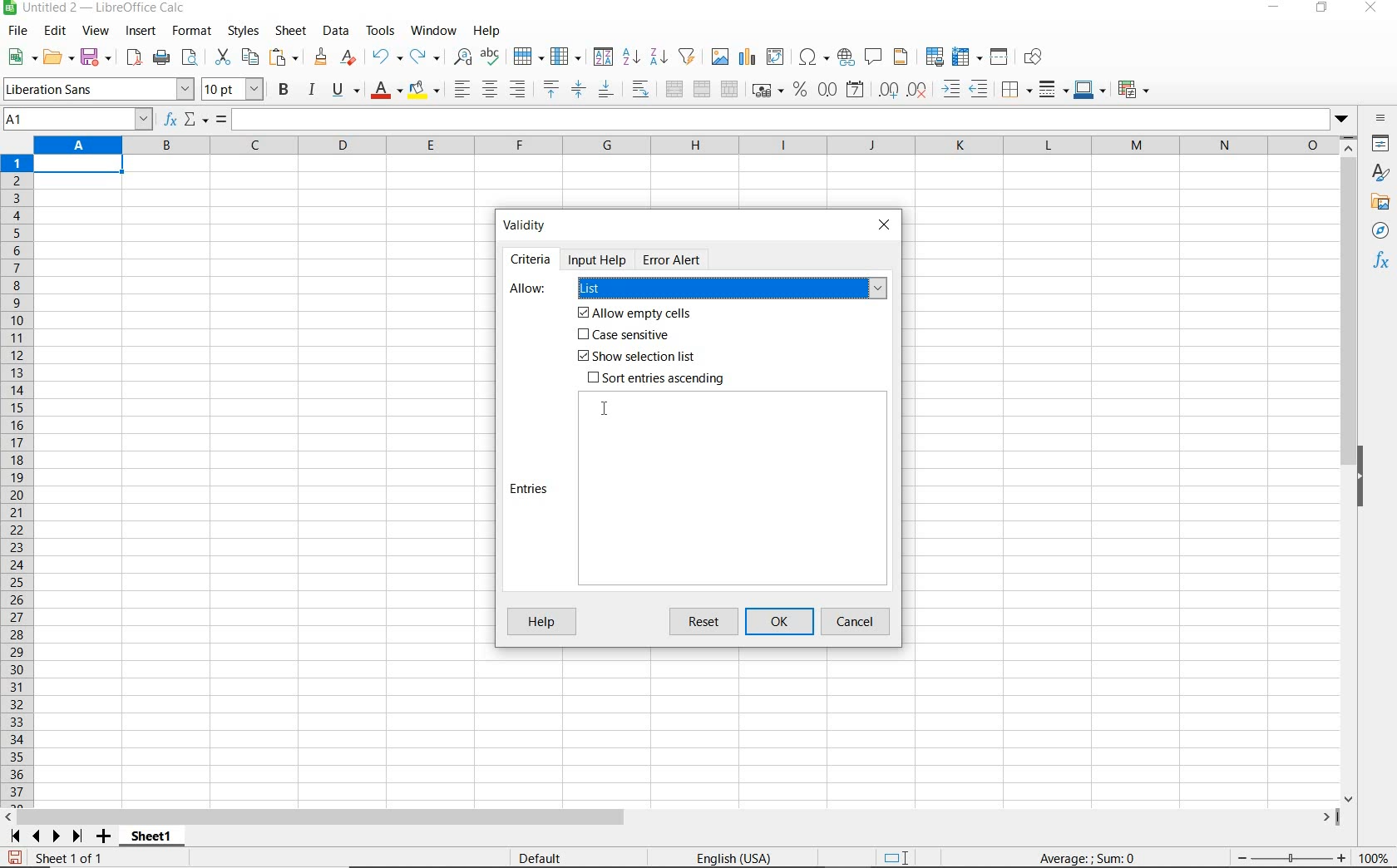  I want to click on delete decimal place, so click(918, 89).